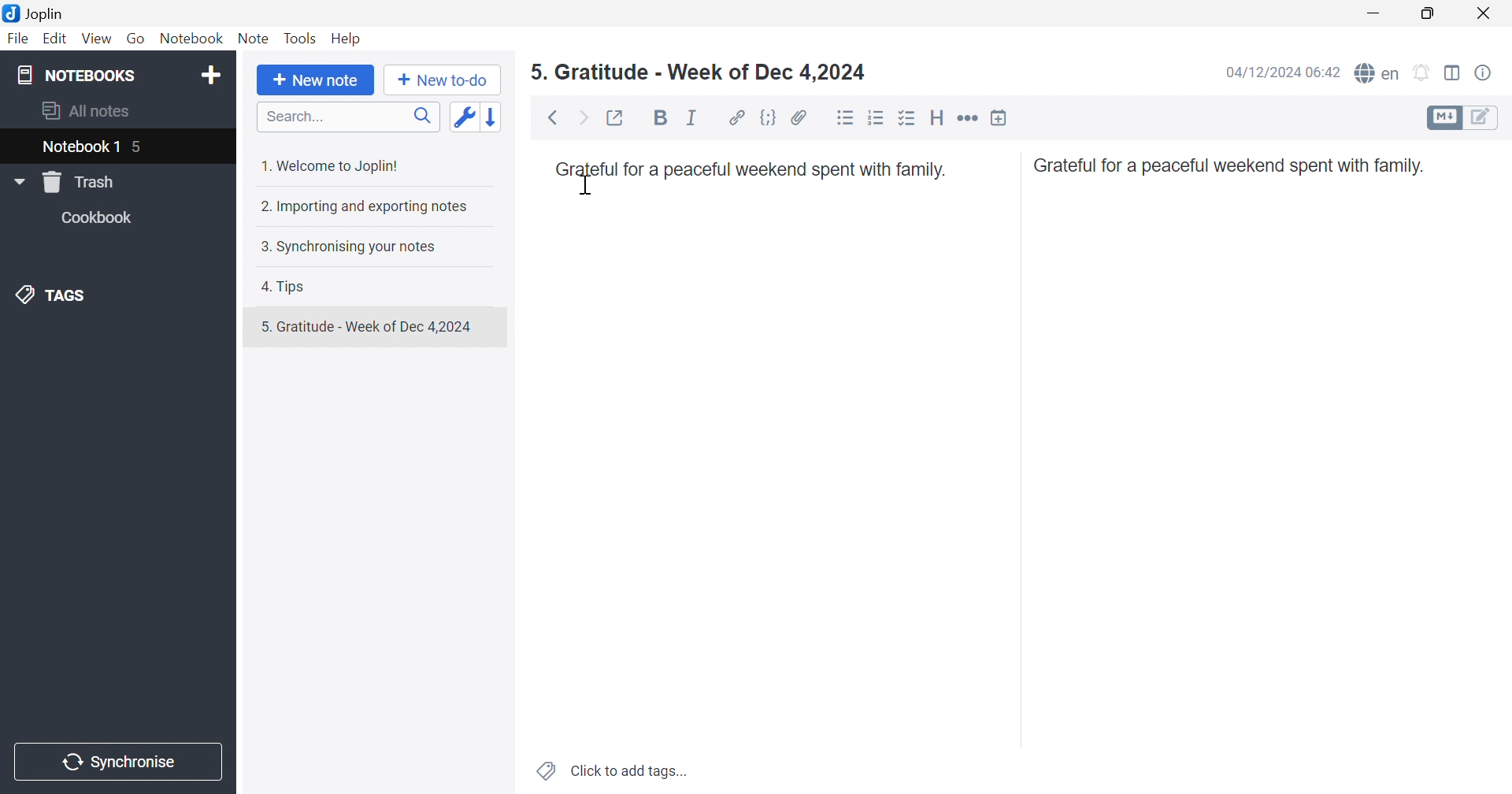 The width and height of the screenshot is (1512, 794). Describe the element at coordinates (939, 117) in the screenshot. I see `Heading` at that location.